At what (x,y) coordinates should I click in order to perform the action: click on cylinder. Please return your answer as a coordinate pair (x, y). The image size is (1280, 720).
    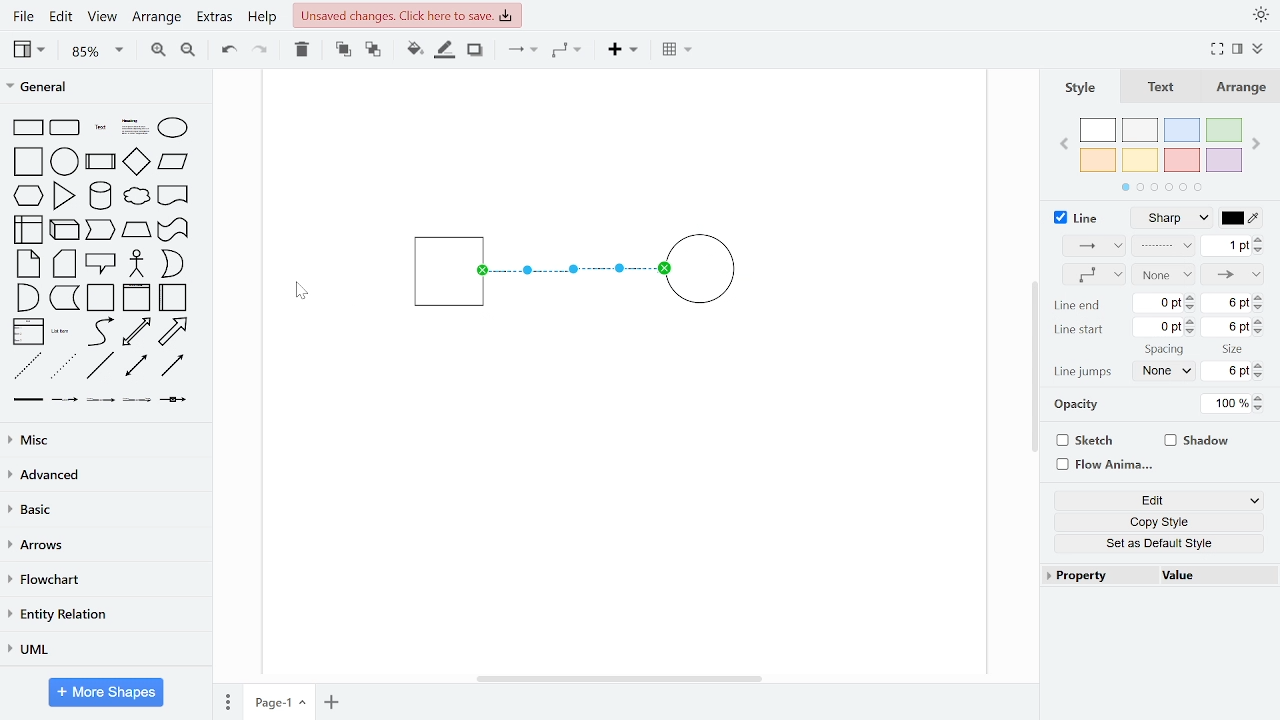
    Looking at the image, I should click on (102, 197).